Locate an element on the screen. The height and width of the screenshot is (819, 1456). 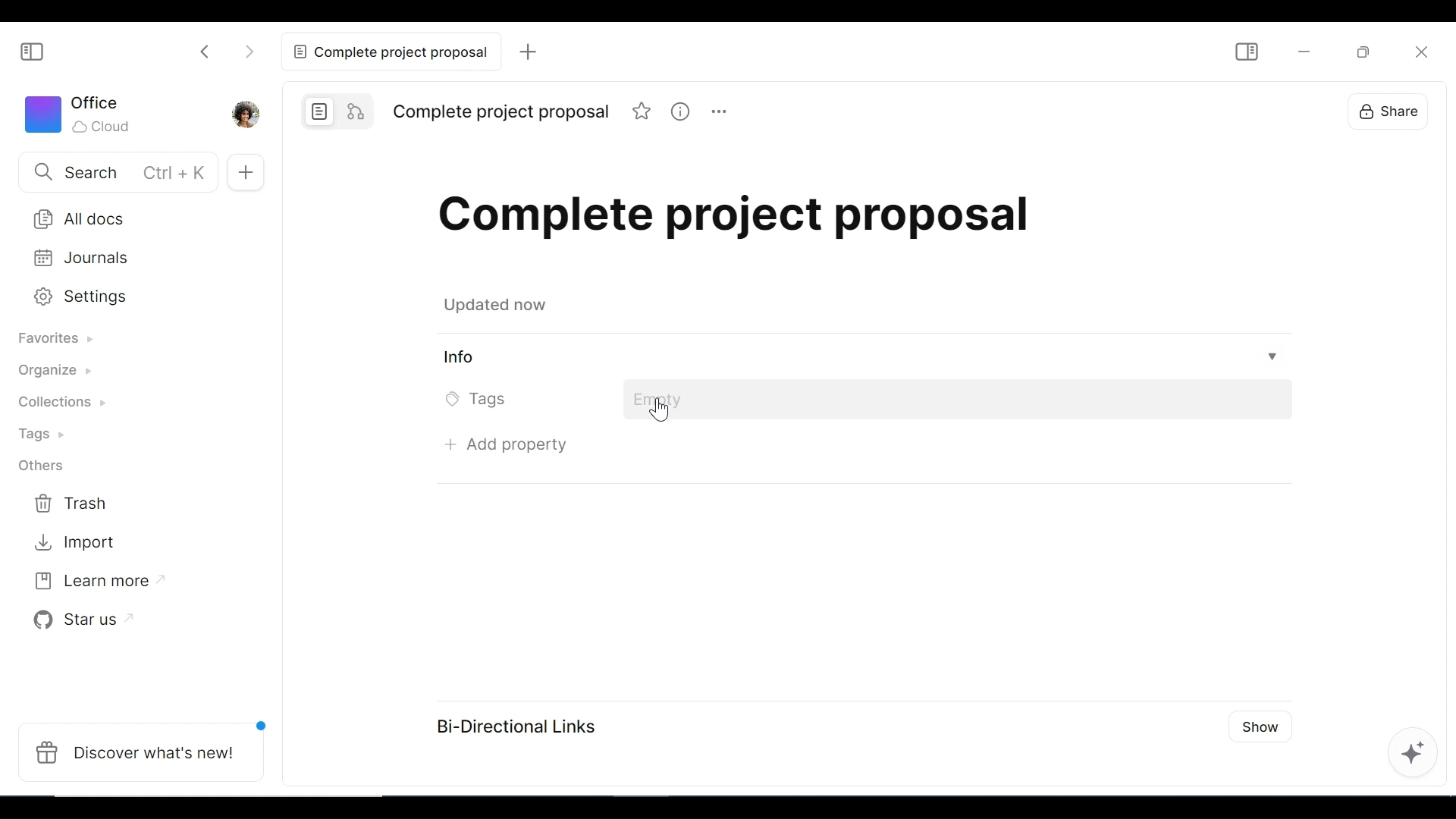
information is located at coordinates (682, 112).